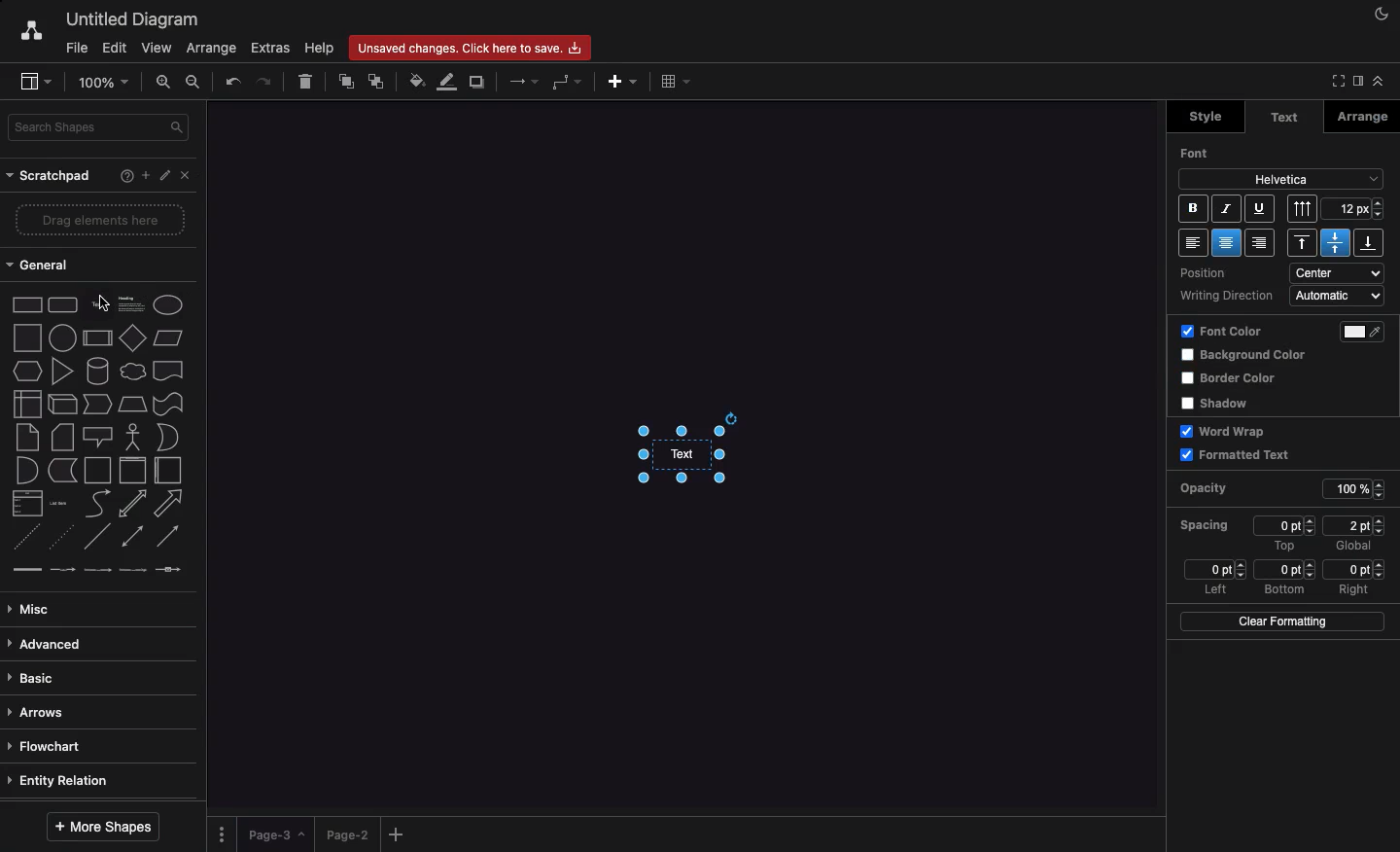  Describe the element at coordinates (1354, 548) in the screenshot. I see `Global` at that location.